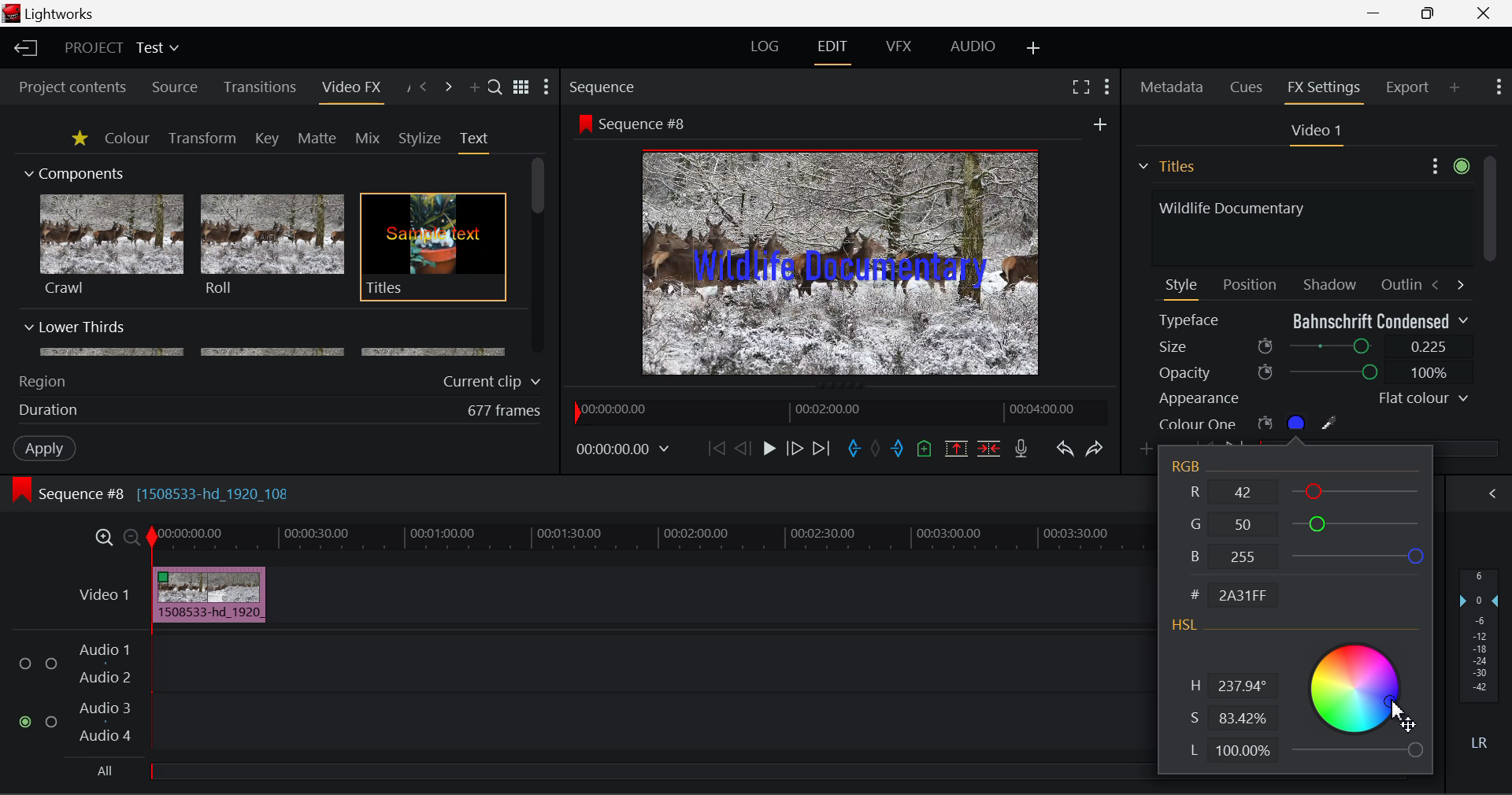  I want to click on Position, so click(1252, 283).